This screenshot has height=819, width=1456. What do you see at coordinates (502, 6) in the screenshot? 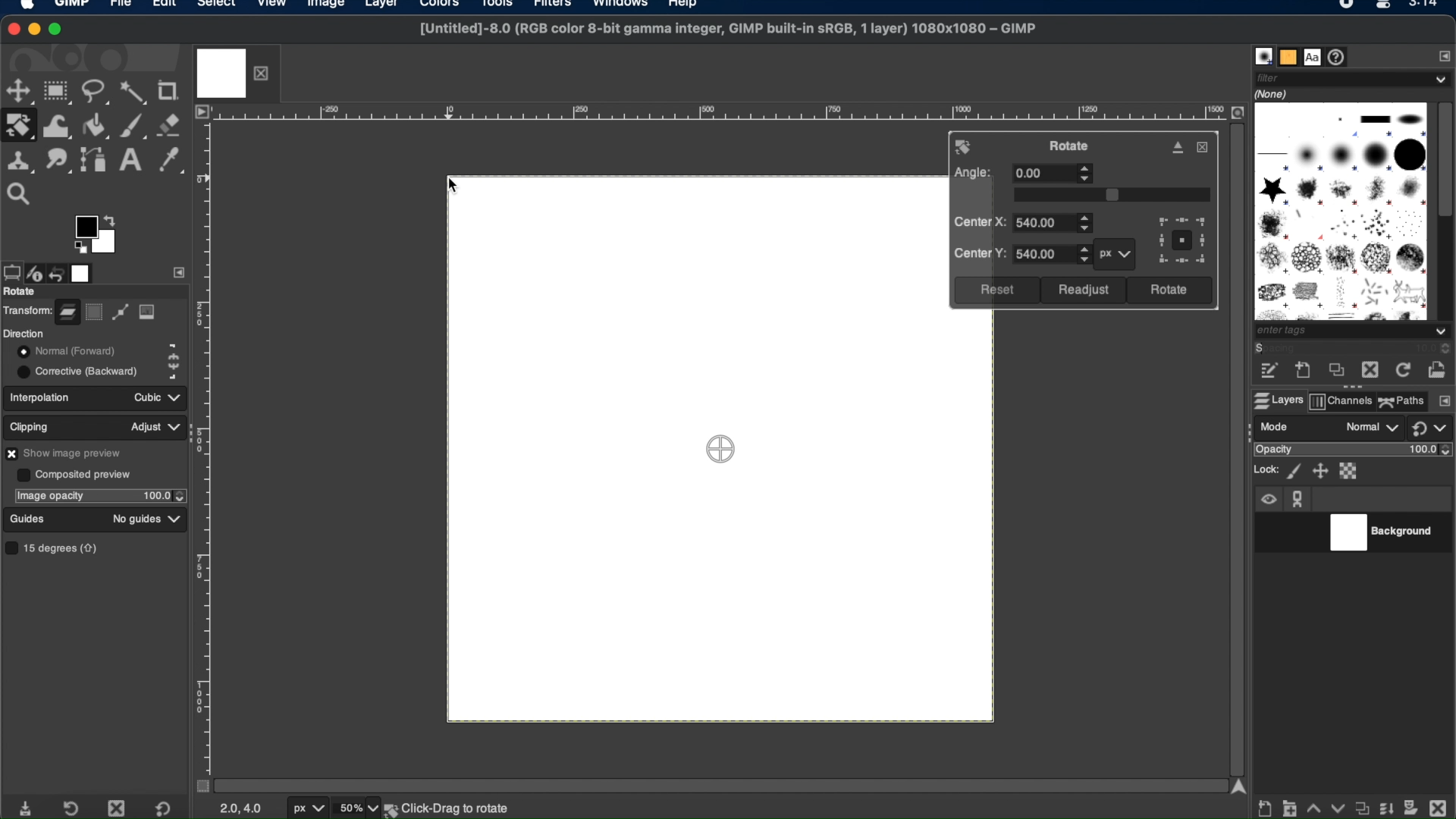
I see `tools` at bounding box center [502, 6].